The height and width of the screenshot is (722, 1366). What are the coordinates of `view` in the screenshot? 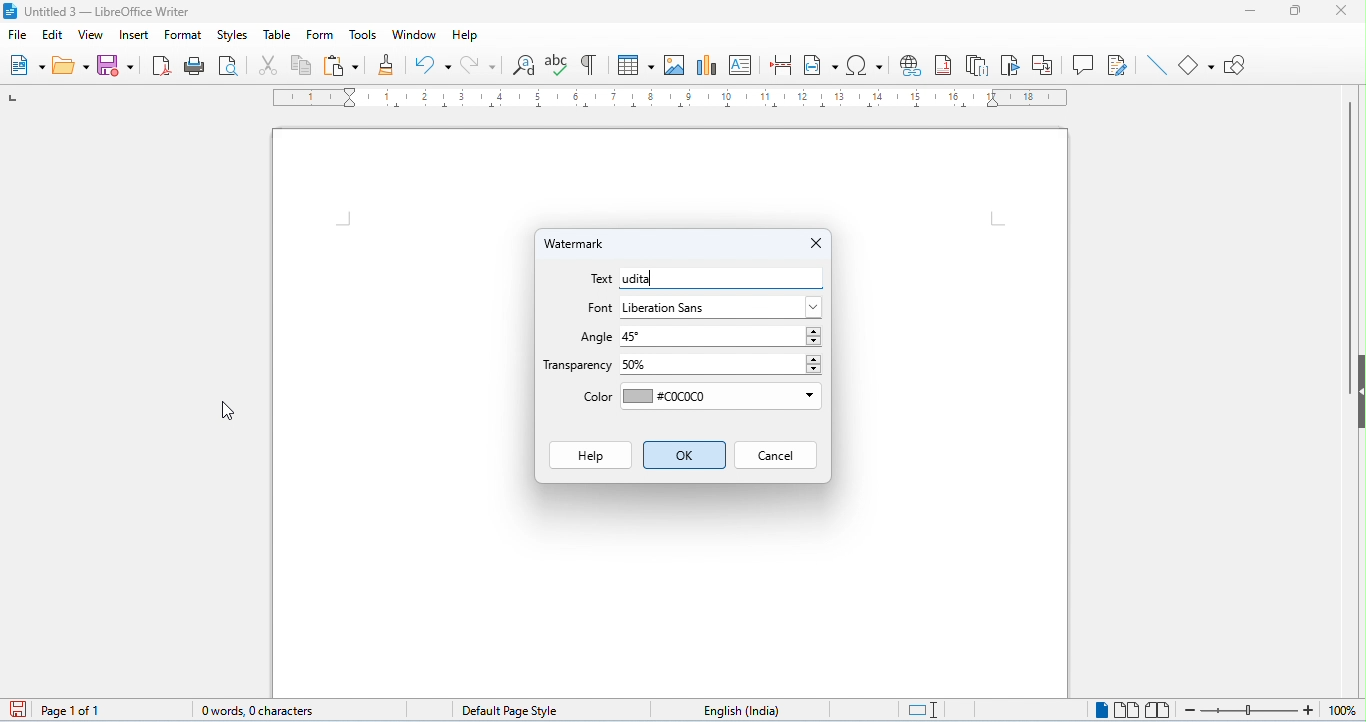 It's located at (91, 36).